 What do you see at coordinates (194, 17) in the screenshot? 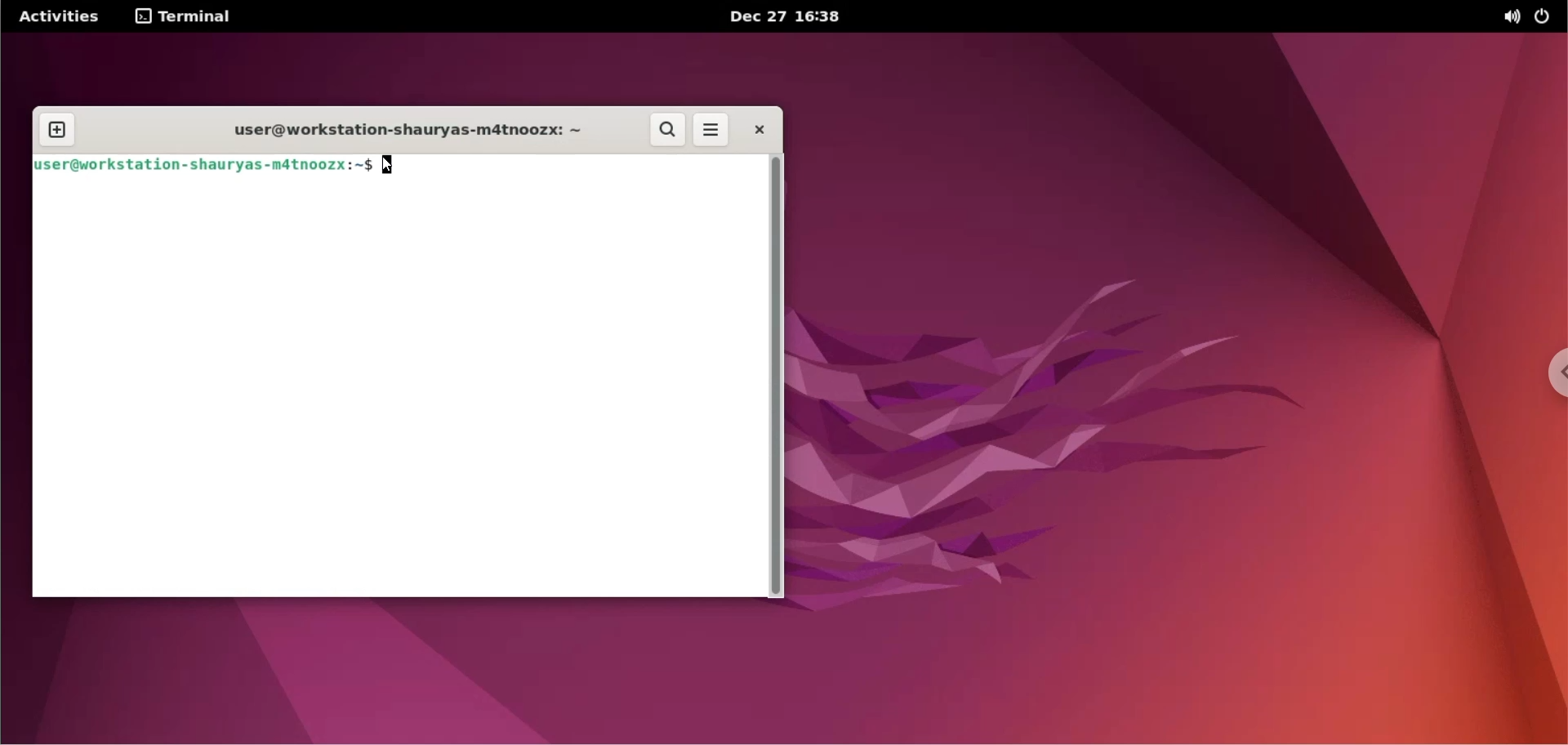
I see `Terminal` at bounding box center [194, 17].